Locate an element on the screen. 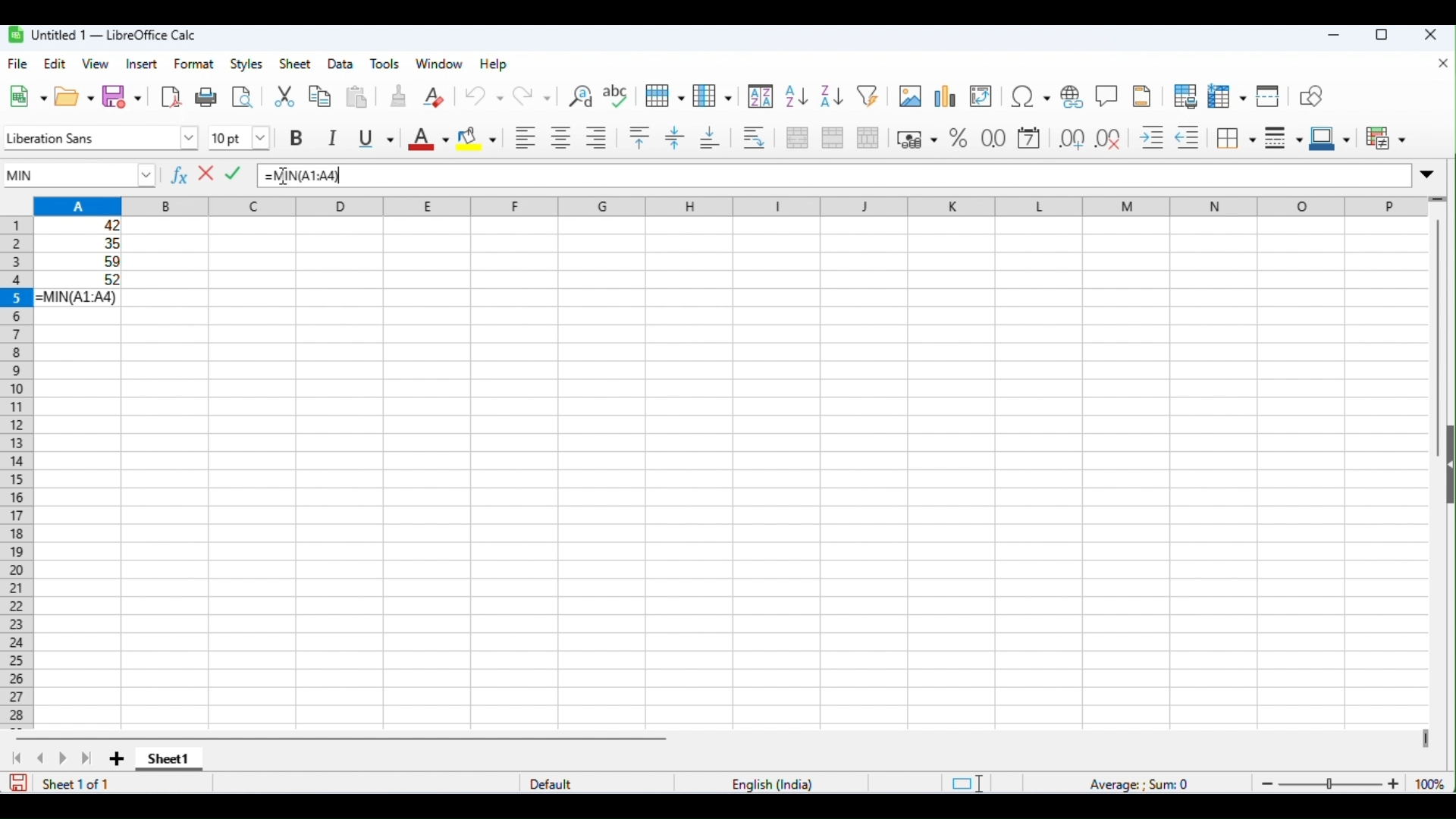 This screenshot has height=819, width=1456. row is located at coordinates (664, 95).